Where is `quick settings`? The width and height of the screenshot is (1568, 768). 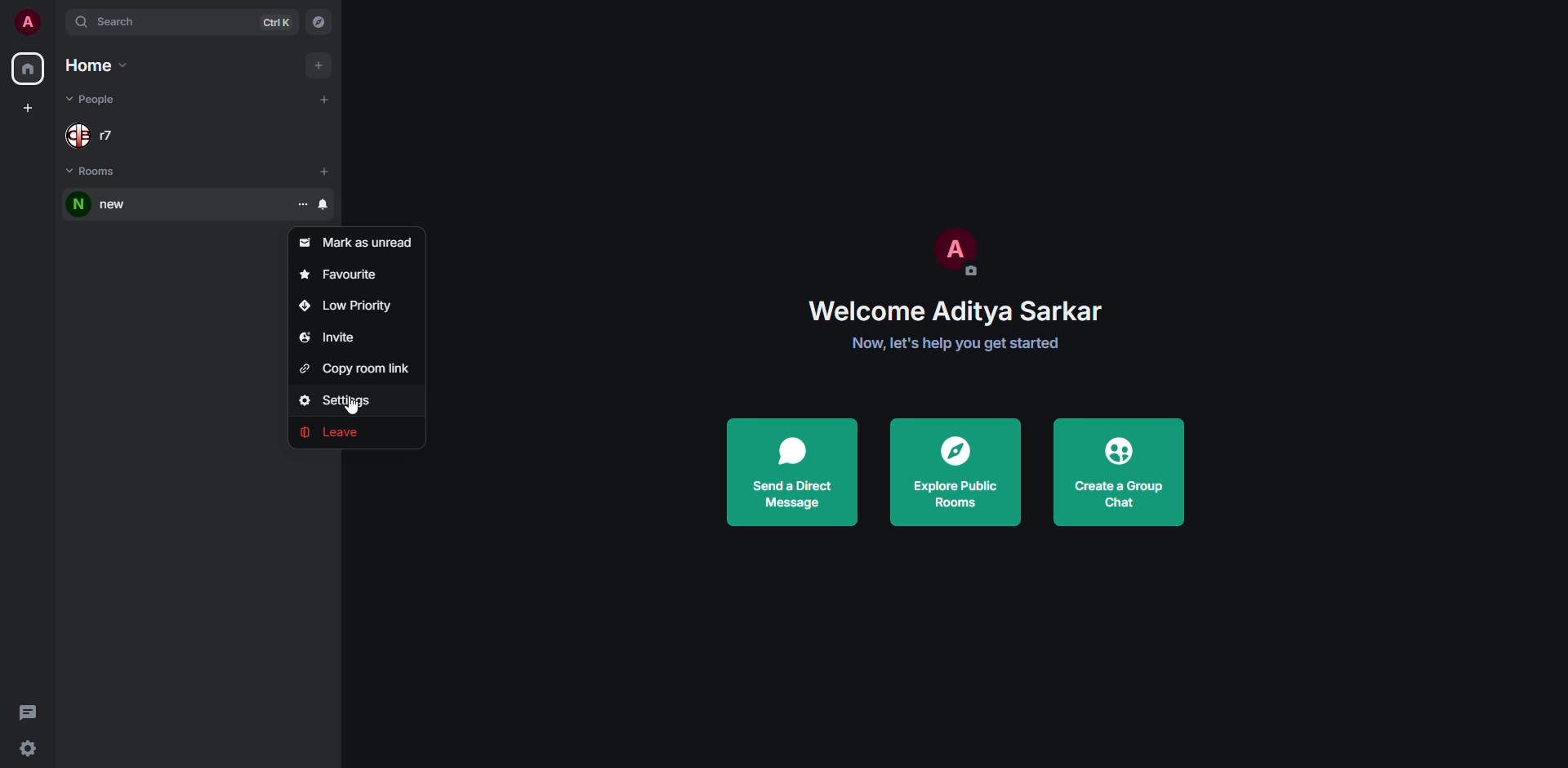 quick settings is located at coordinates (26, 748).